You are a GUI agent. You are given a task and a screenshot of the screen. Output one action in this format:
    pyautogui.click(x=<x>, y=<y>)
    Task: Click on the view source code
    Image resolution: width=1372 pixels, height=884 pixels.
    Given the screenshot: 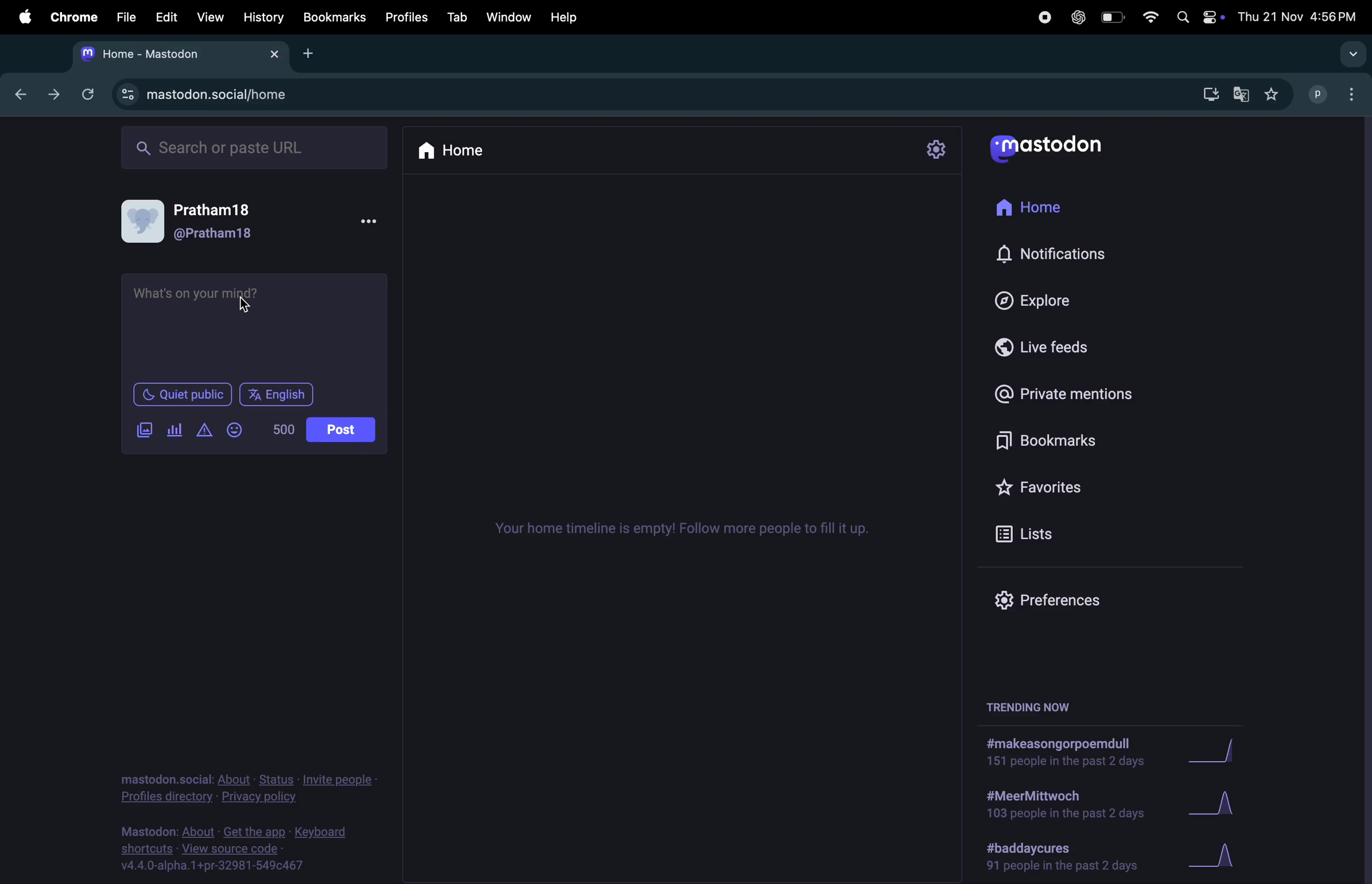 What is the action you would take?
    pyautogui.click(x=230, y=851)
    